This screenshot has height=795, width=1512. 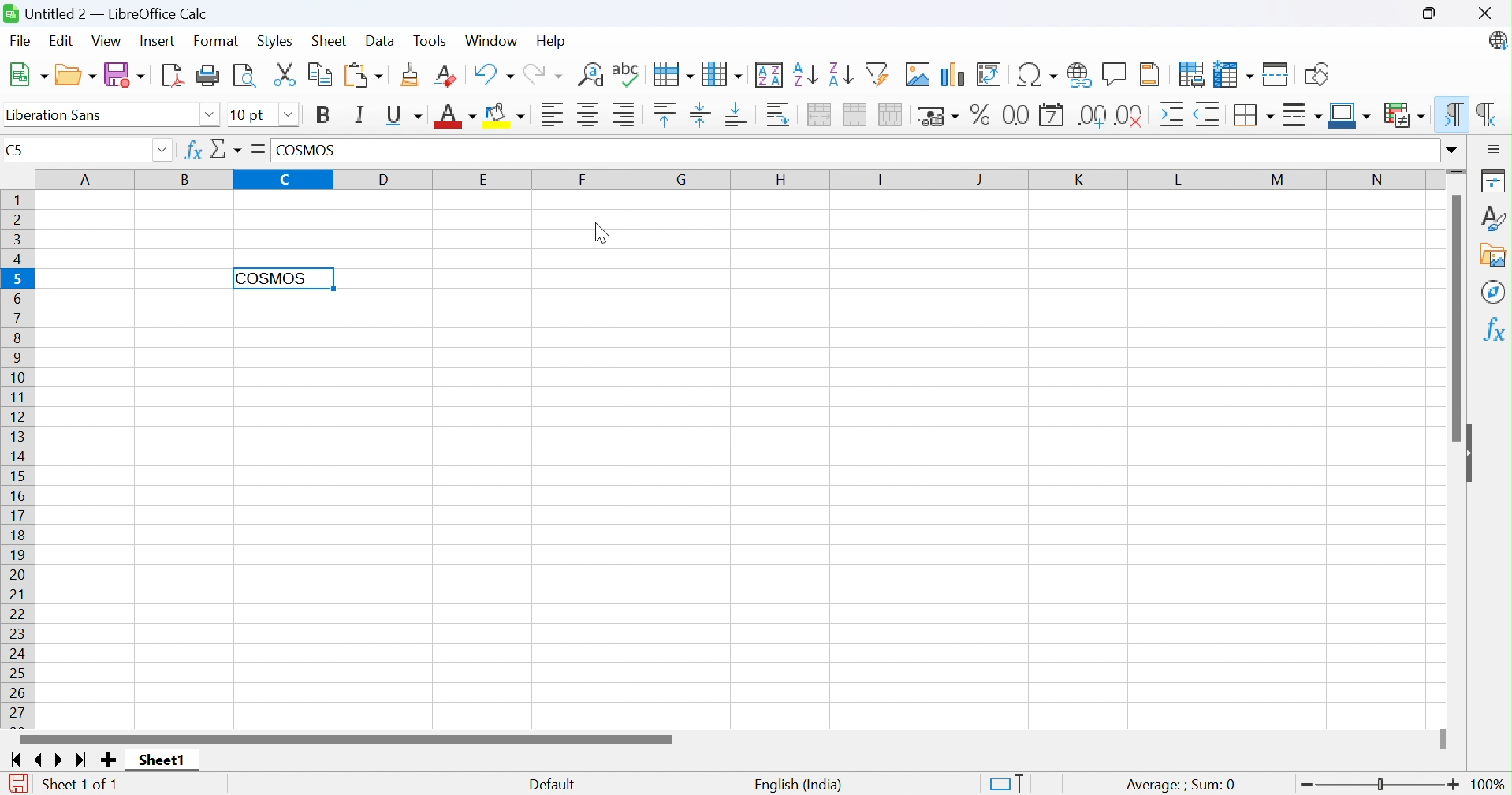 I want to click on Insert image, so click(x=918, y=73).